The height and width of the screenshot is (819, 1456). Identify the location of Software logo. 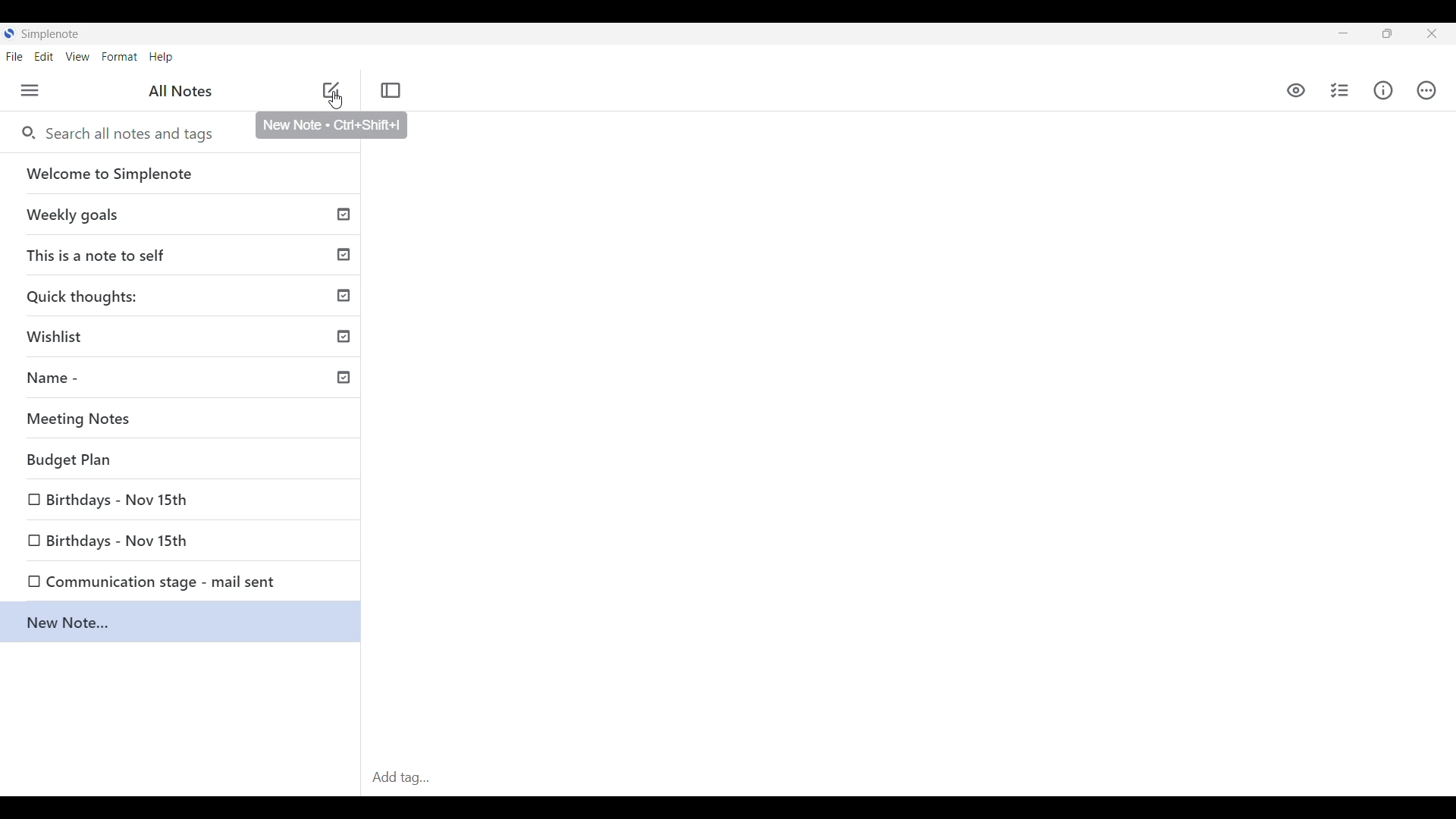
(8, 33).